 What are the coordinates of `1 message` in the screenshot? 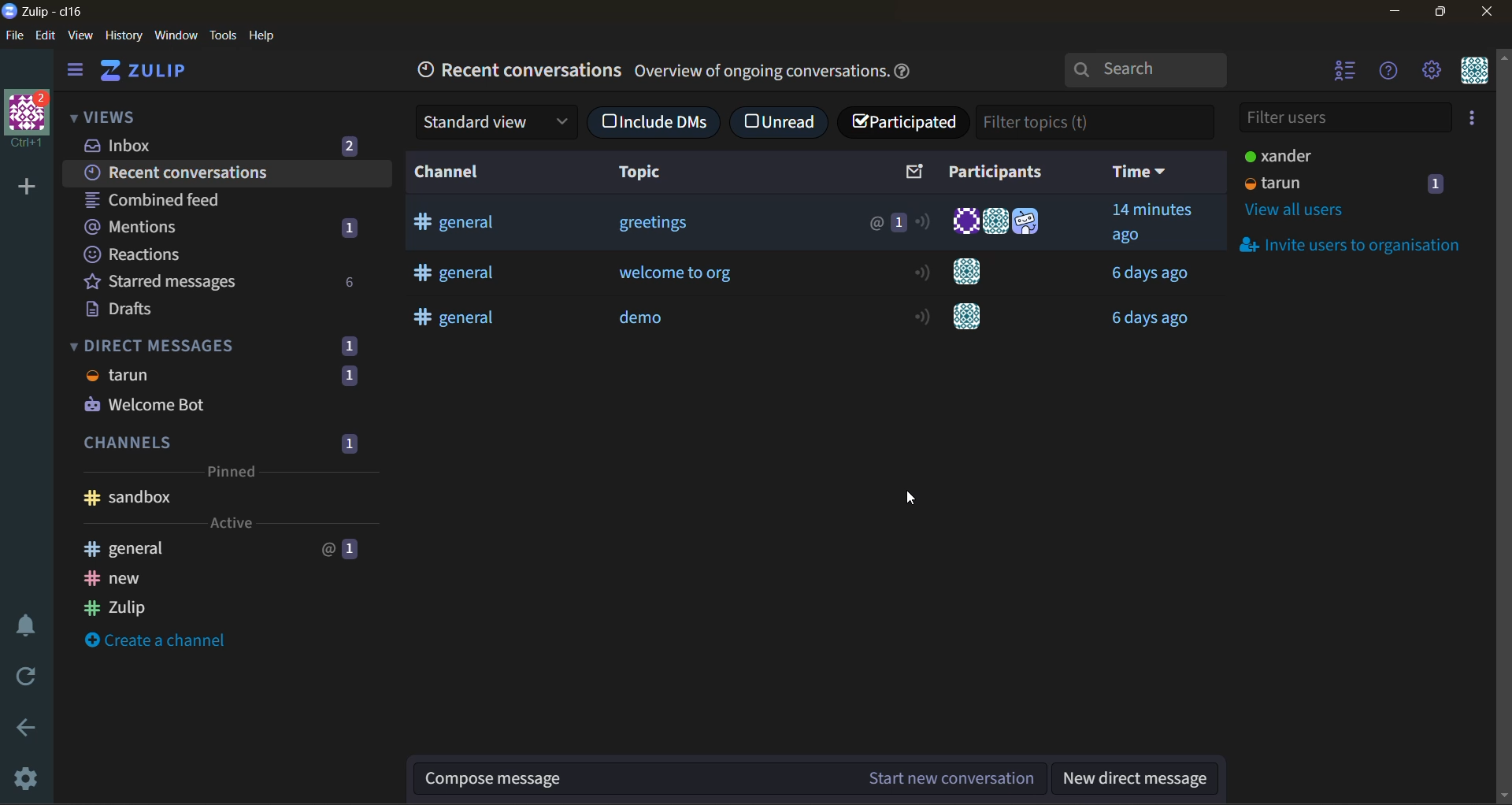 It's located at (353, 550).